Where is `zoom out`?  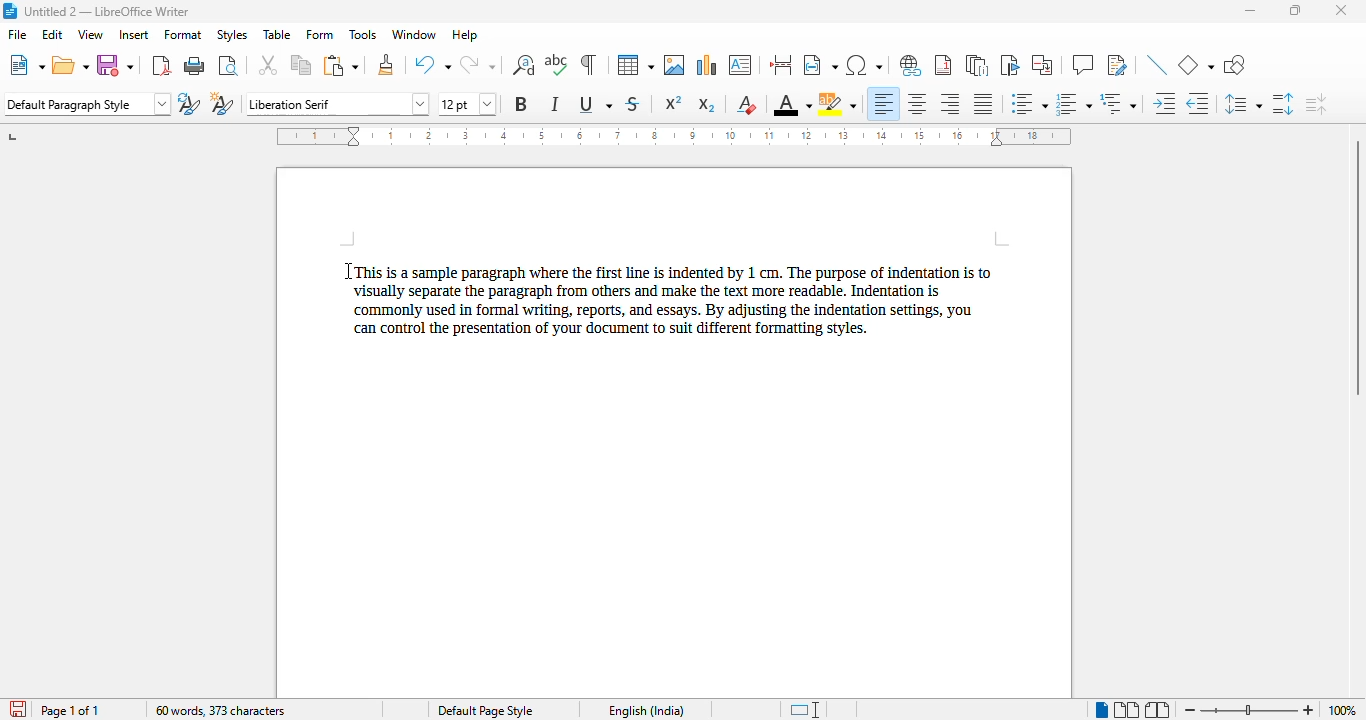
zoom out is located at coordinates (1192, 710).